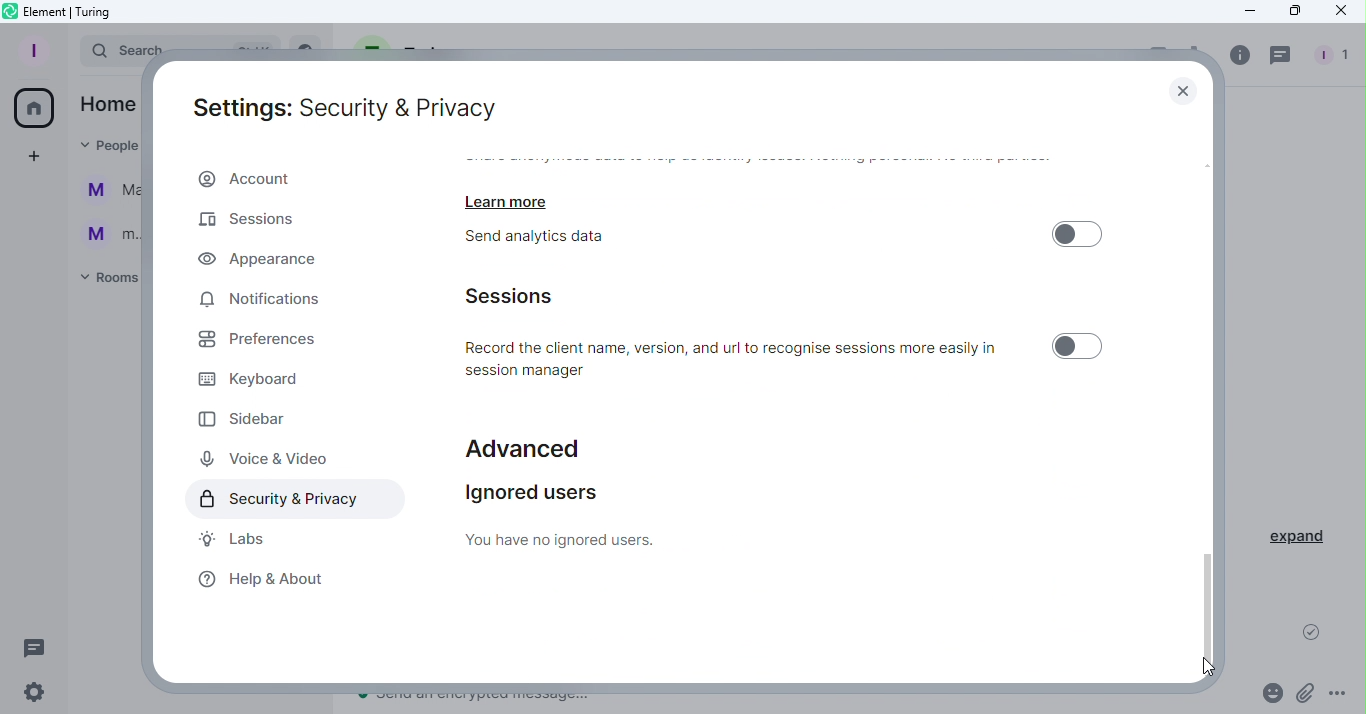 The image size is (1366, 714). What do you see at coordinates (1312, 636) in the screenshot?
I see `Message sent` at bounding box center [1312, 636].